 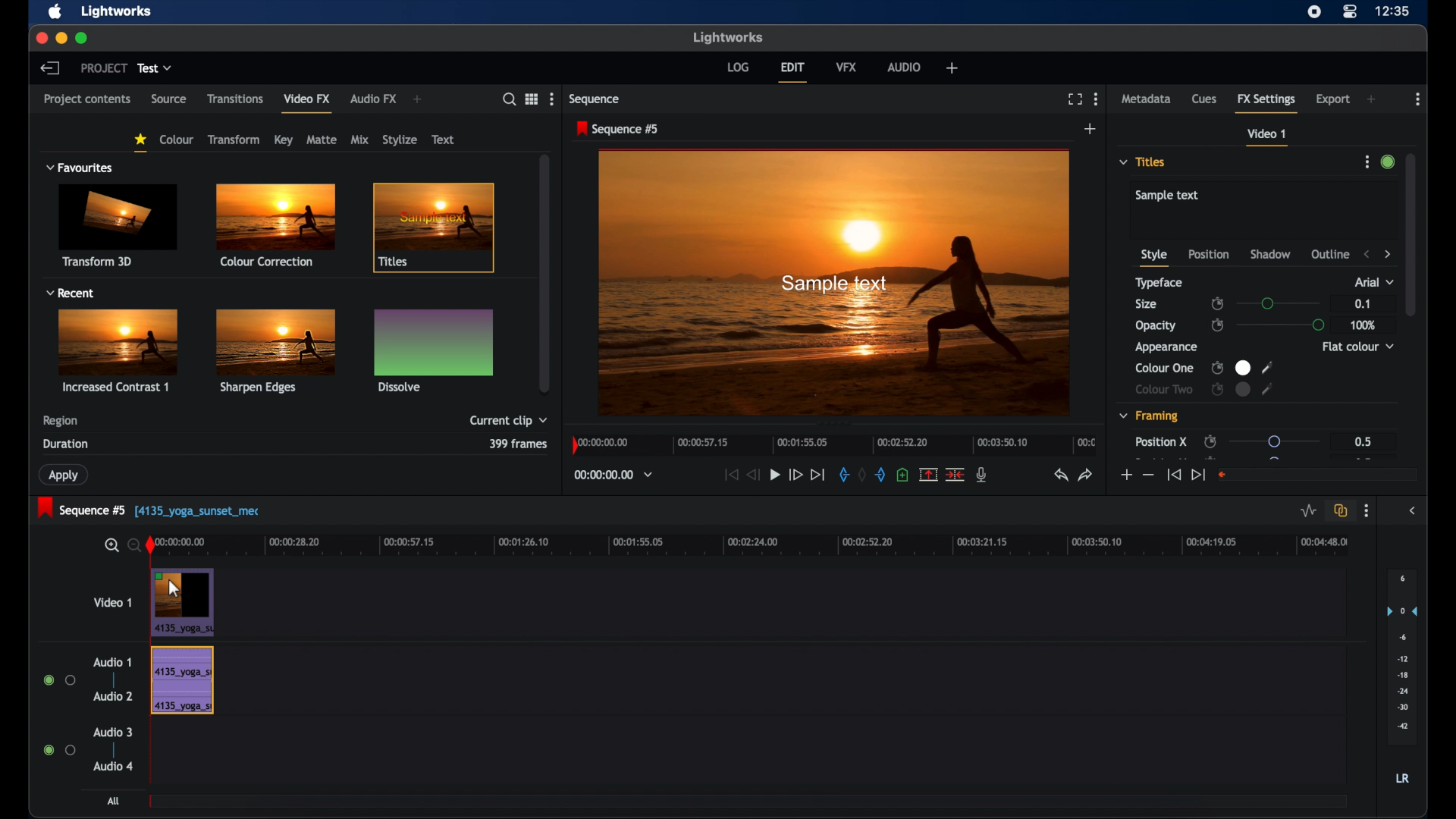 What do you see at coordinates (1266, 139) in the screenshot?
I see `video 1` at bounding box center [1266, 139].